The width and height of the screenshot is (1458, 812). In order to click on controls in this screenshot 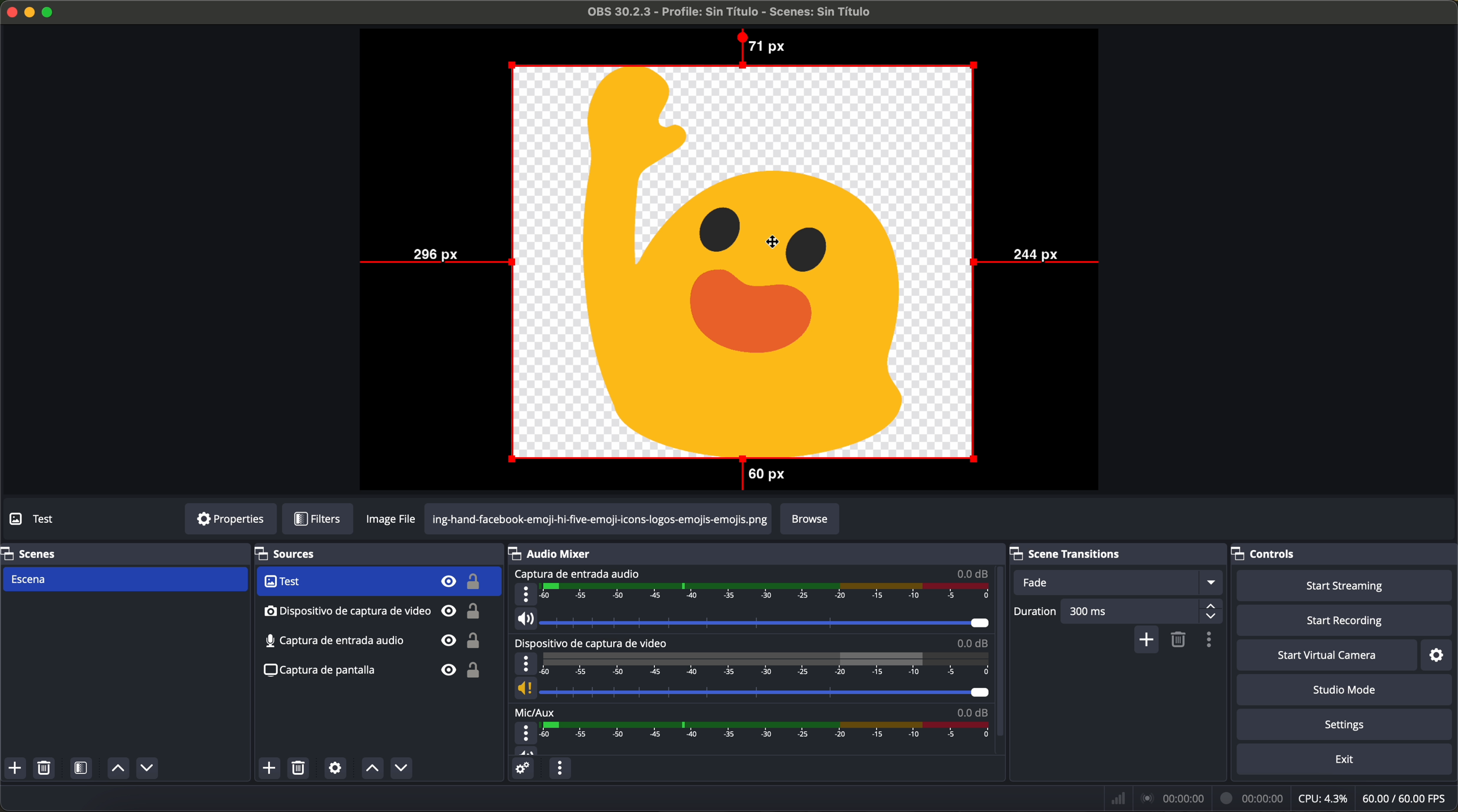, I will do `click(1274, 551)`.